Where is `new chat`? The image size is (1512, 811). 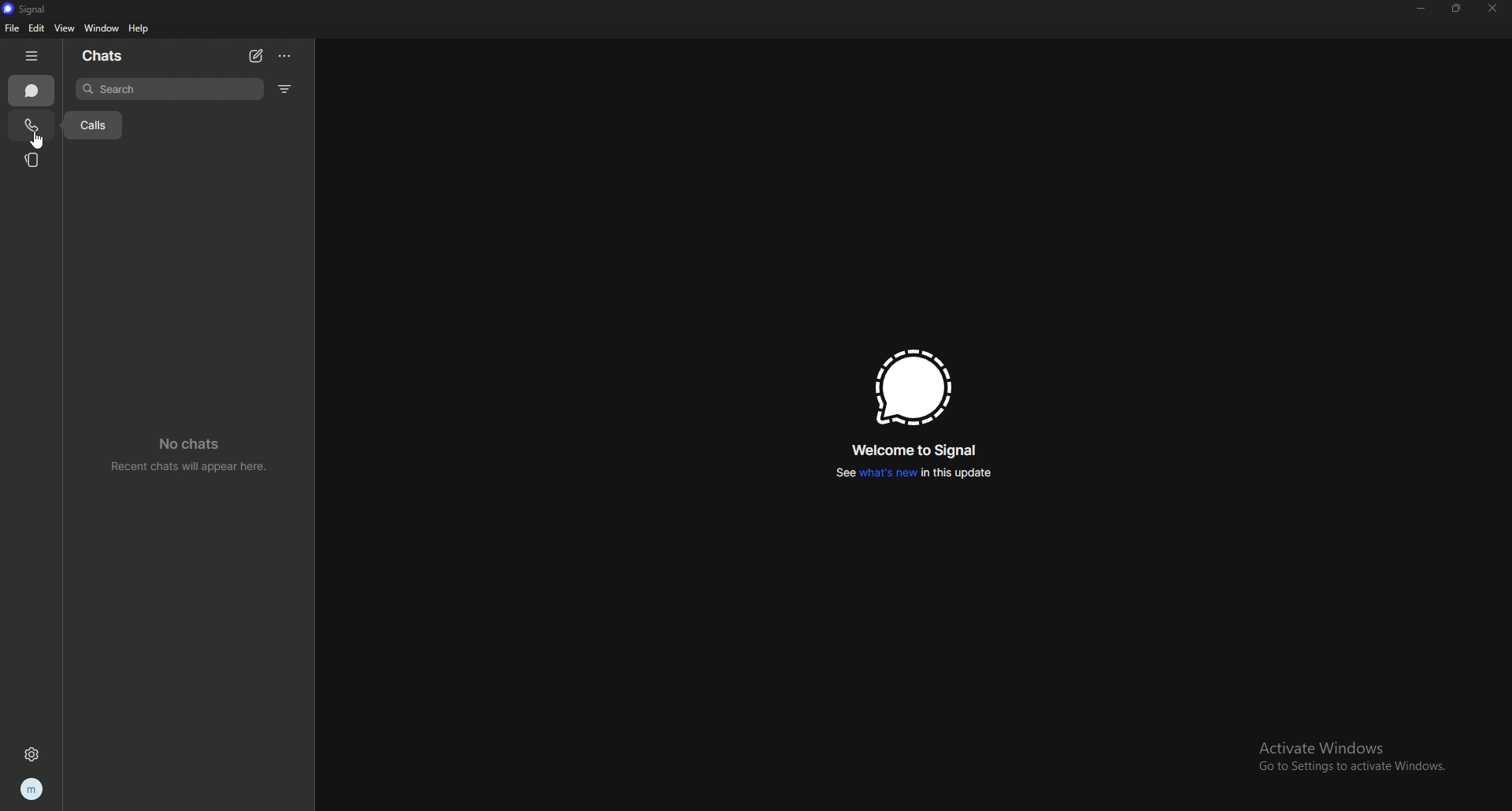
new chat is located at coordinates (256, 56).